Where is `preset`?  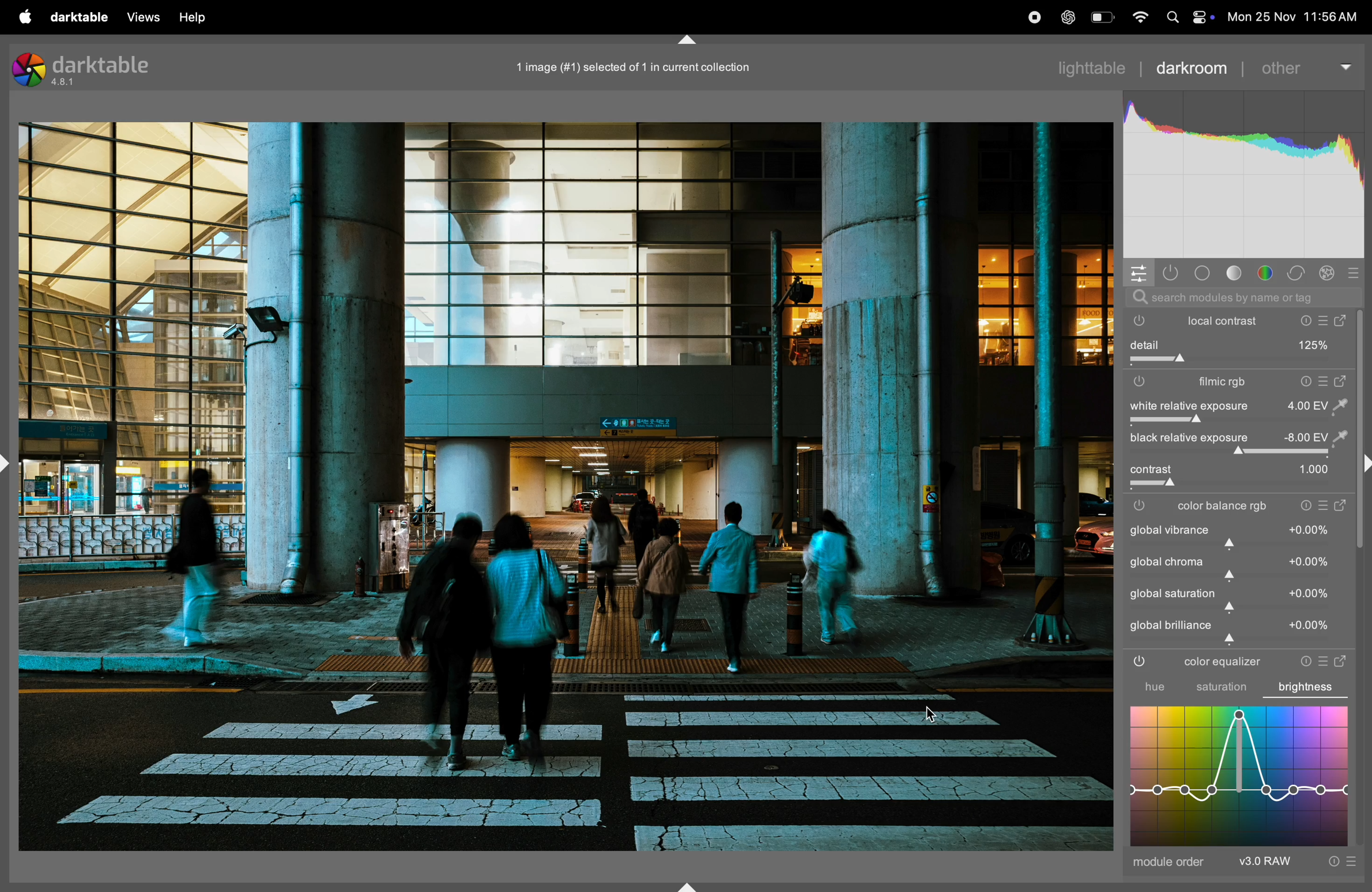 preset is located at coordinates (1354, 271).